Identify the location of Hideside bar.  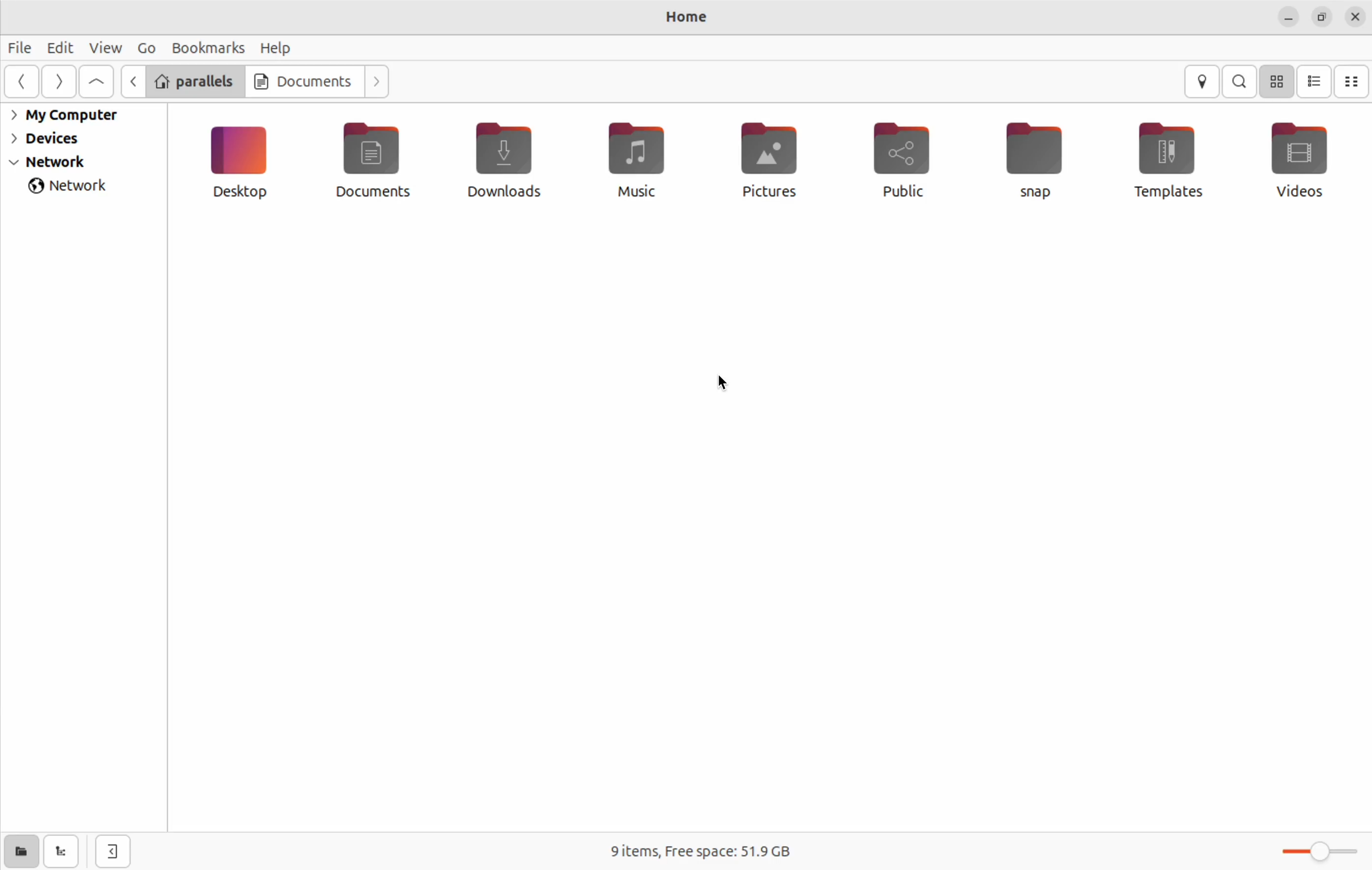
(108, 850).